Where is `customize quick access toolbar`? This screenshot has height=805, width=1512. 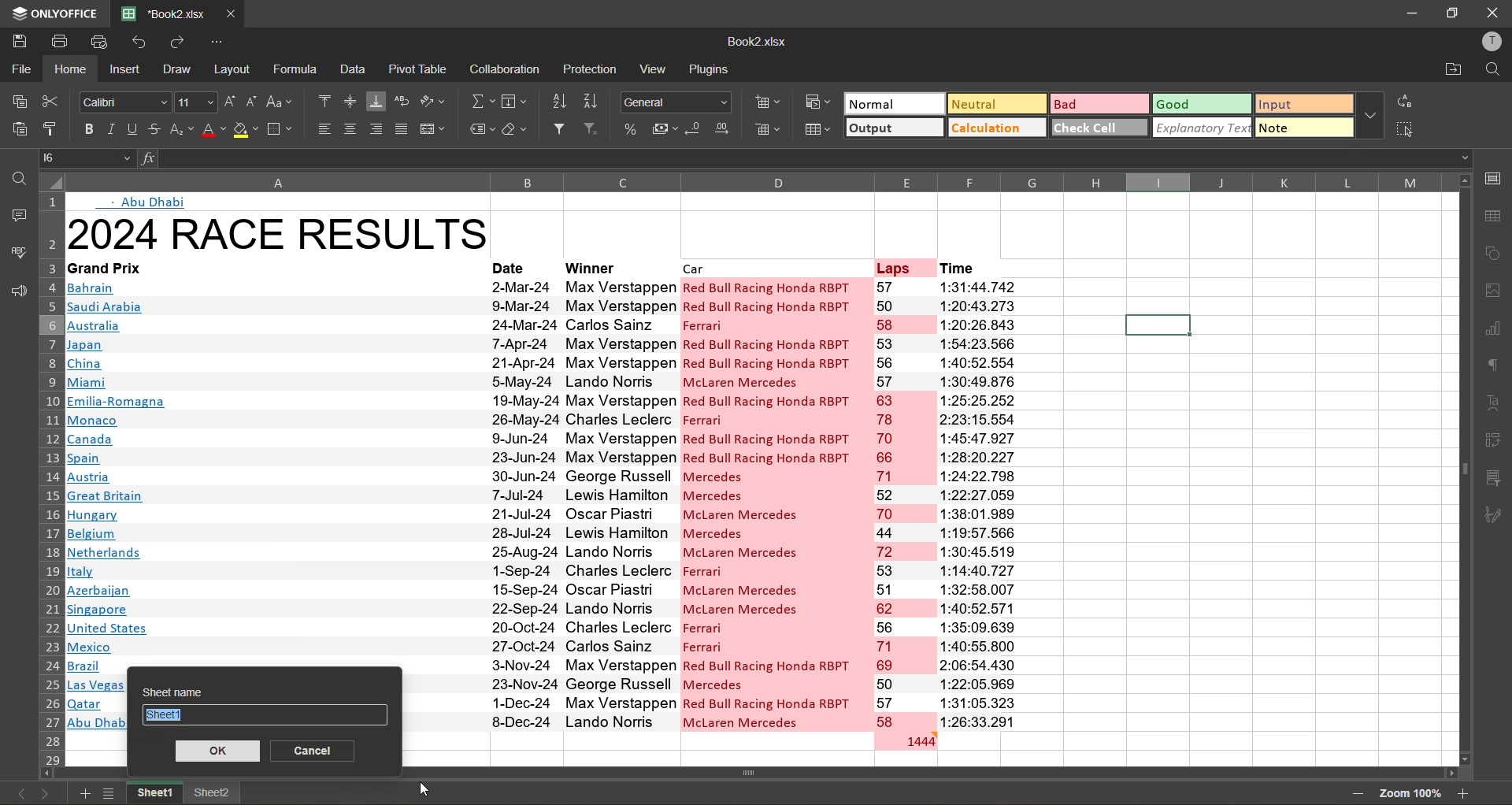 customize quick access toolbar is located at coordinates (219, 43).